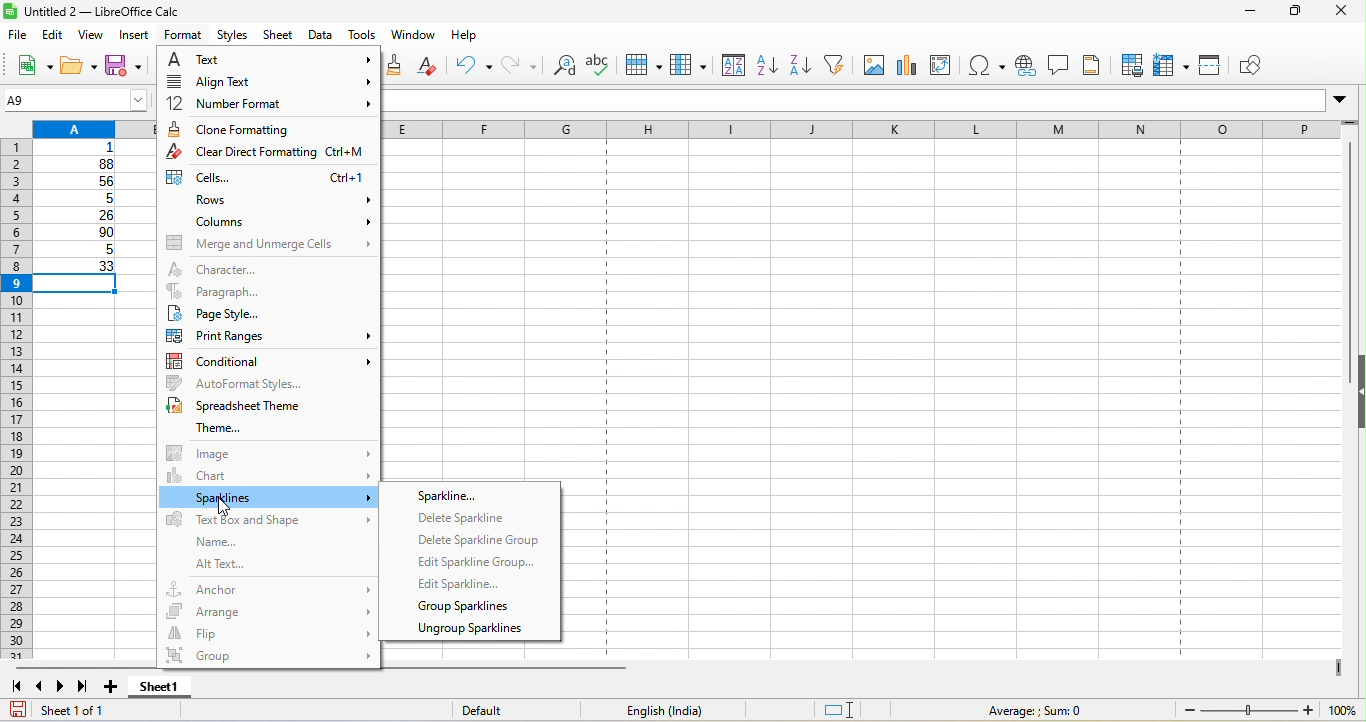  Describe the element at coordinates (82, 148) in the screenshot. I see `1` at that location.